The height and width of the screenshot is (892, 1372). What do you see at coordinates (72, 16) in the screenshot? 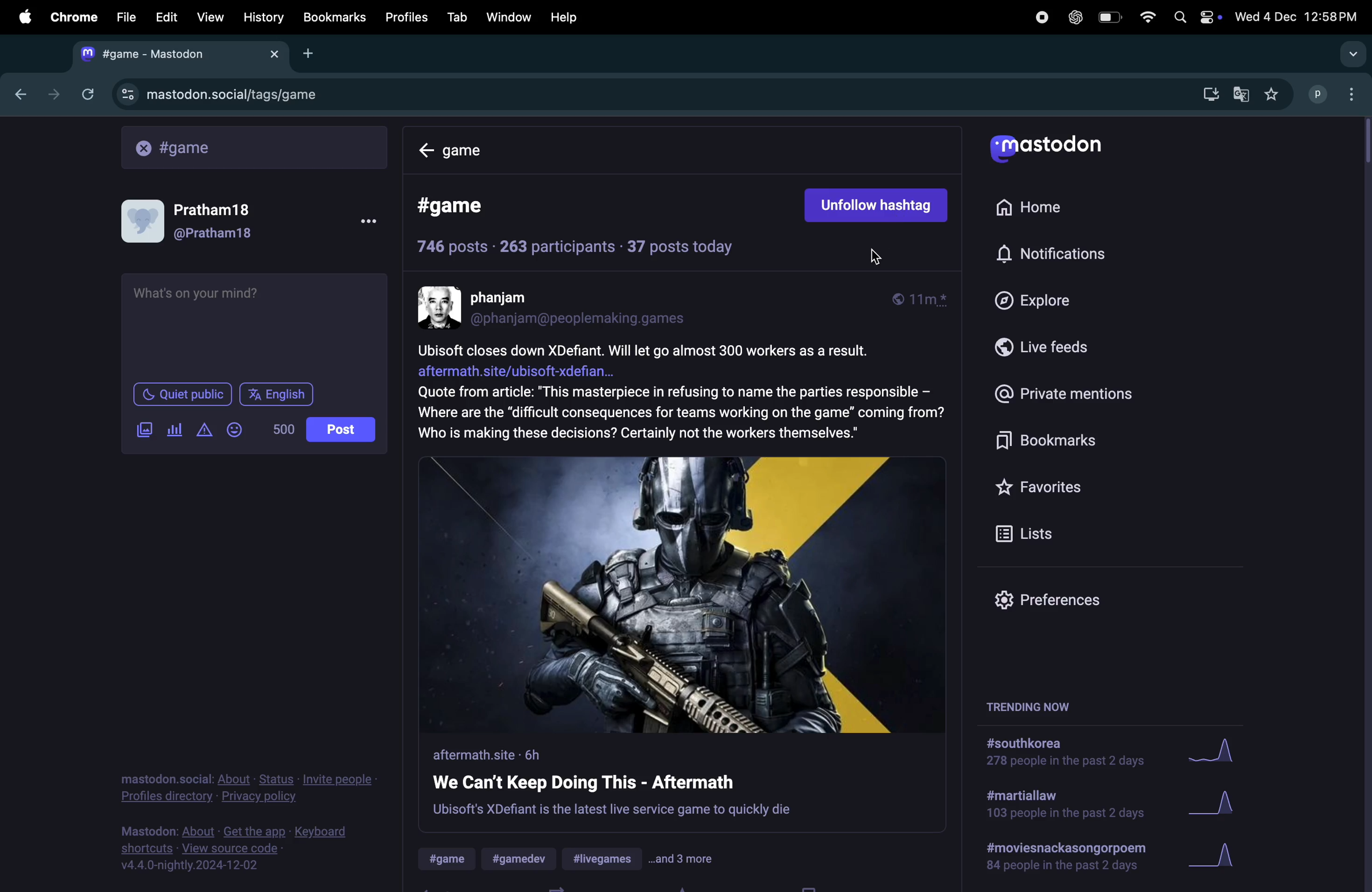
I see `Chrome` at bounding box center [72, 16].